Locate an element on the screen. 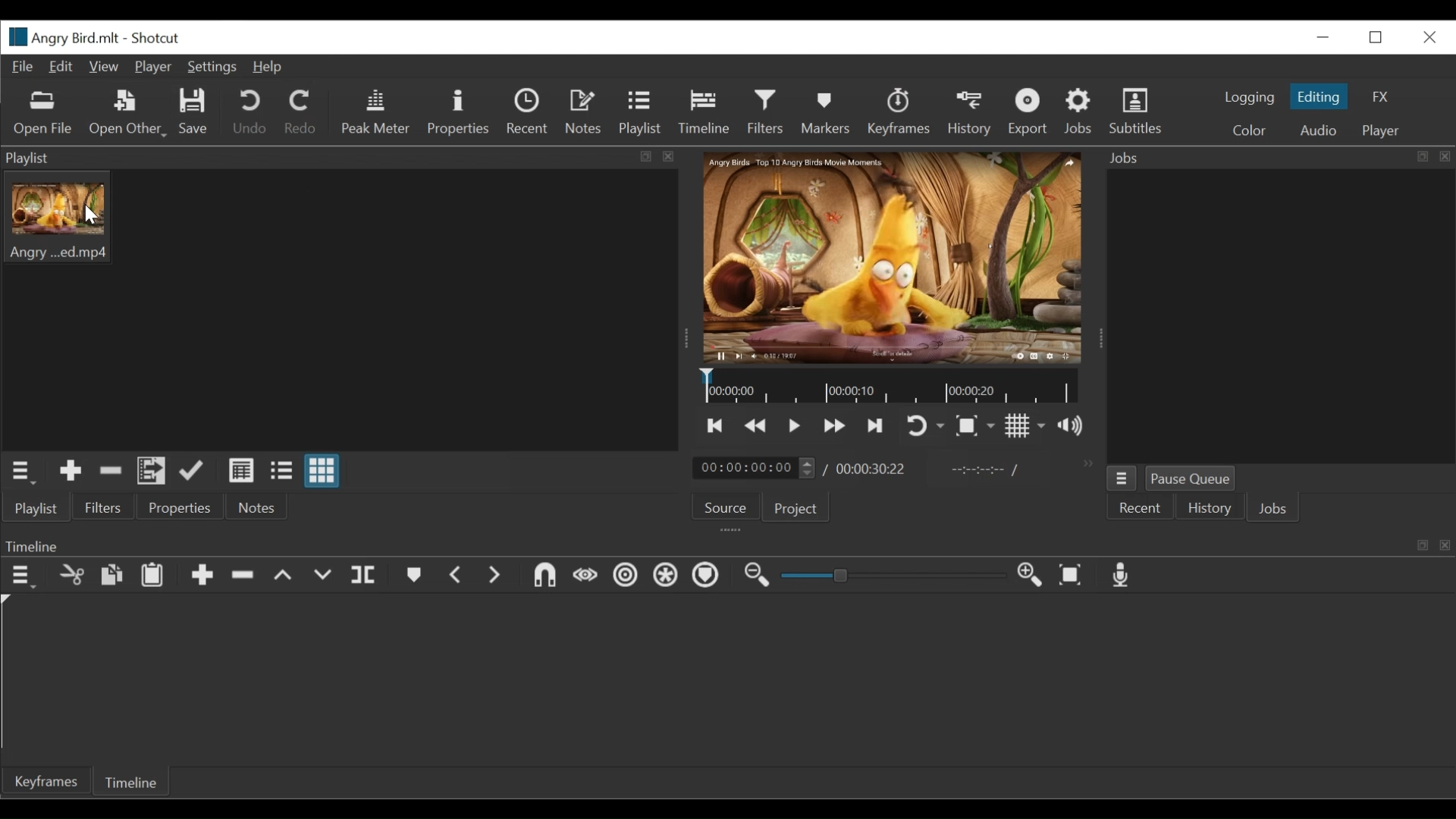 This screenshot has height=819, width=1456. Open File is located at coordinates (39, 112).